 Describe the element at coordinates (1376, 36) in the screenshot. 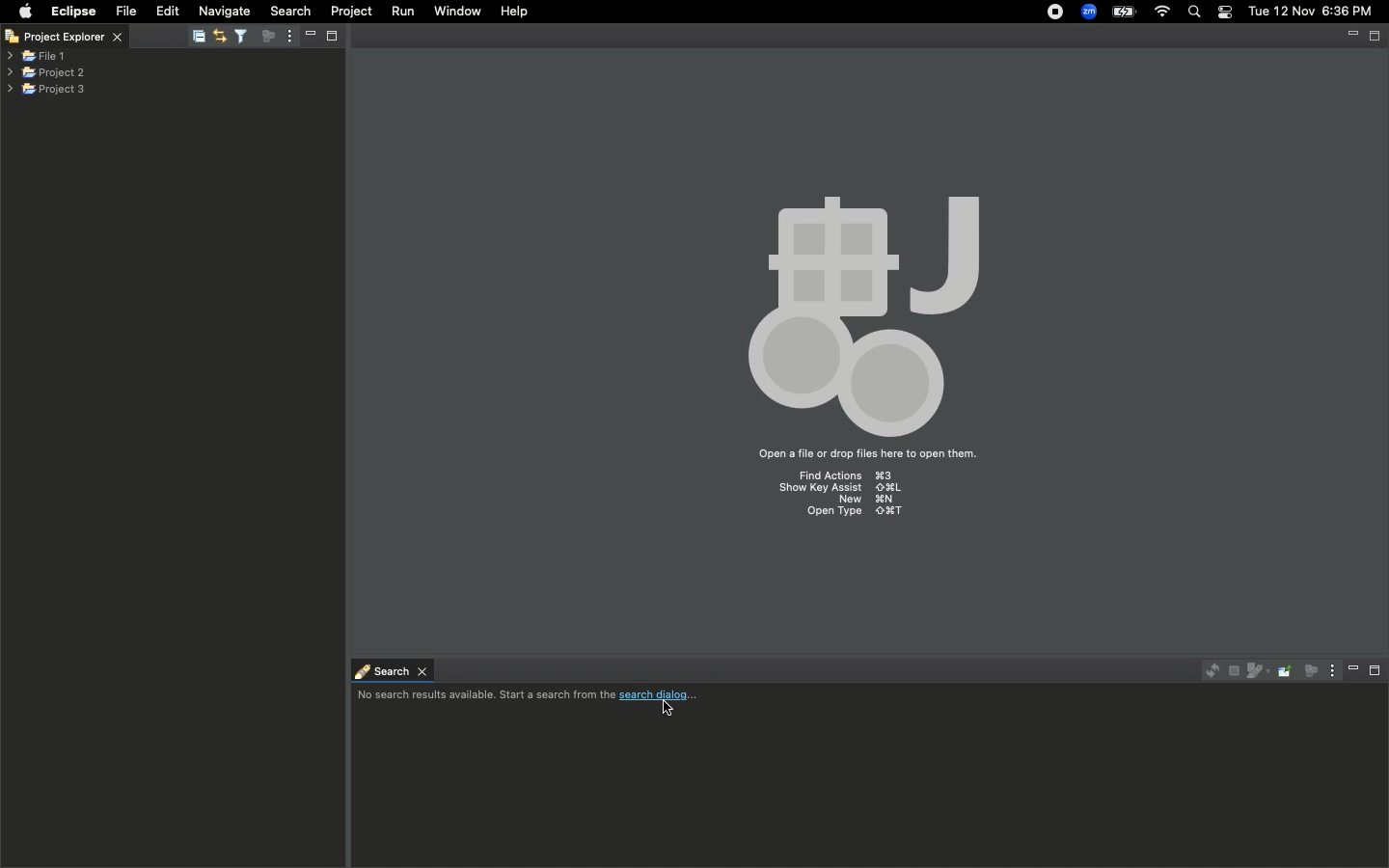

I see `Maximize` at that location.